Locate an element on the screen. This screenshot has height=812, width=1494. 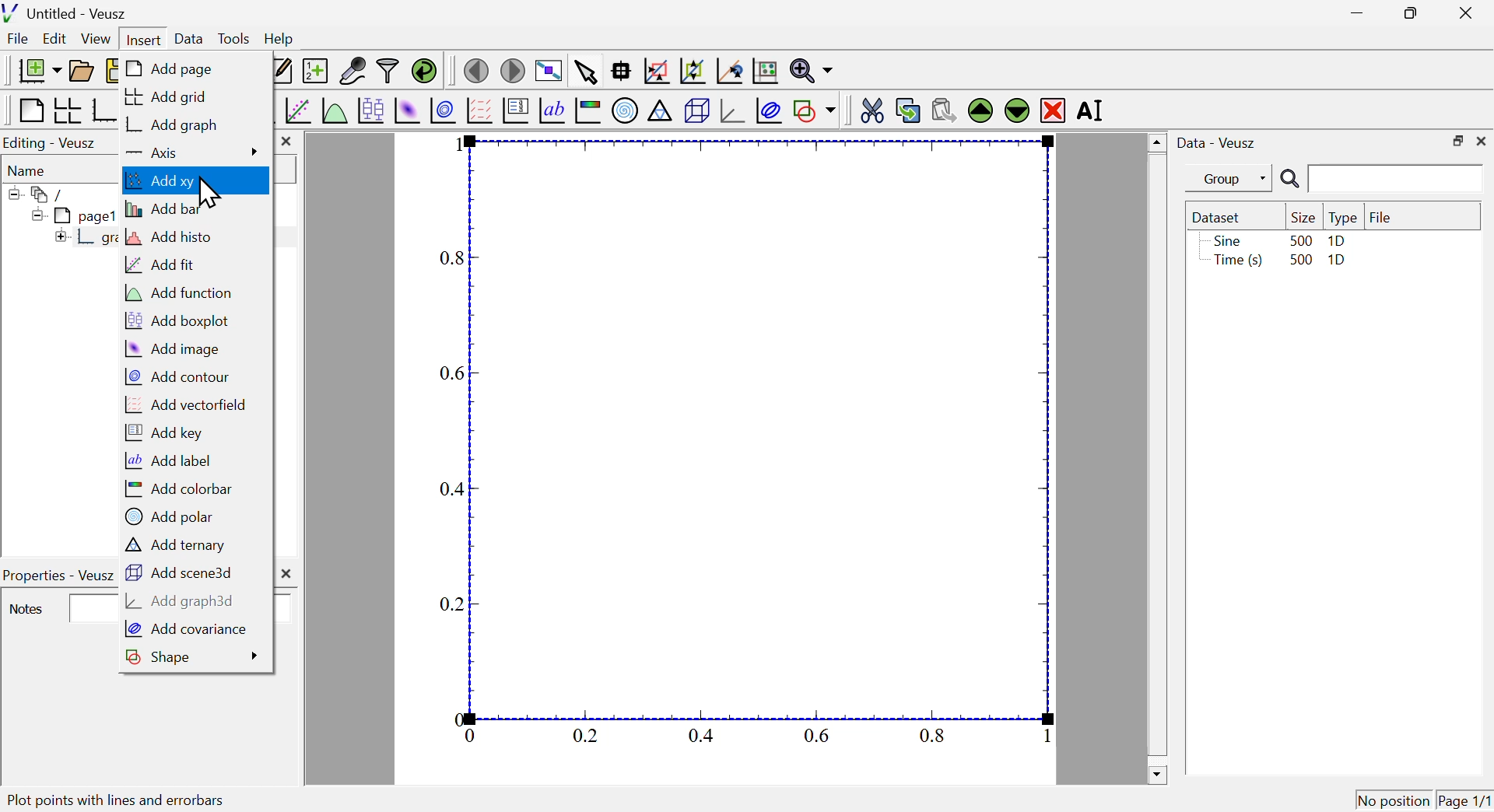
name is located at coordinates (30, 170).